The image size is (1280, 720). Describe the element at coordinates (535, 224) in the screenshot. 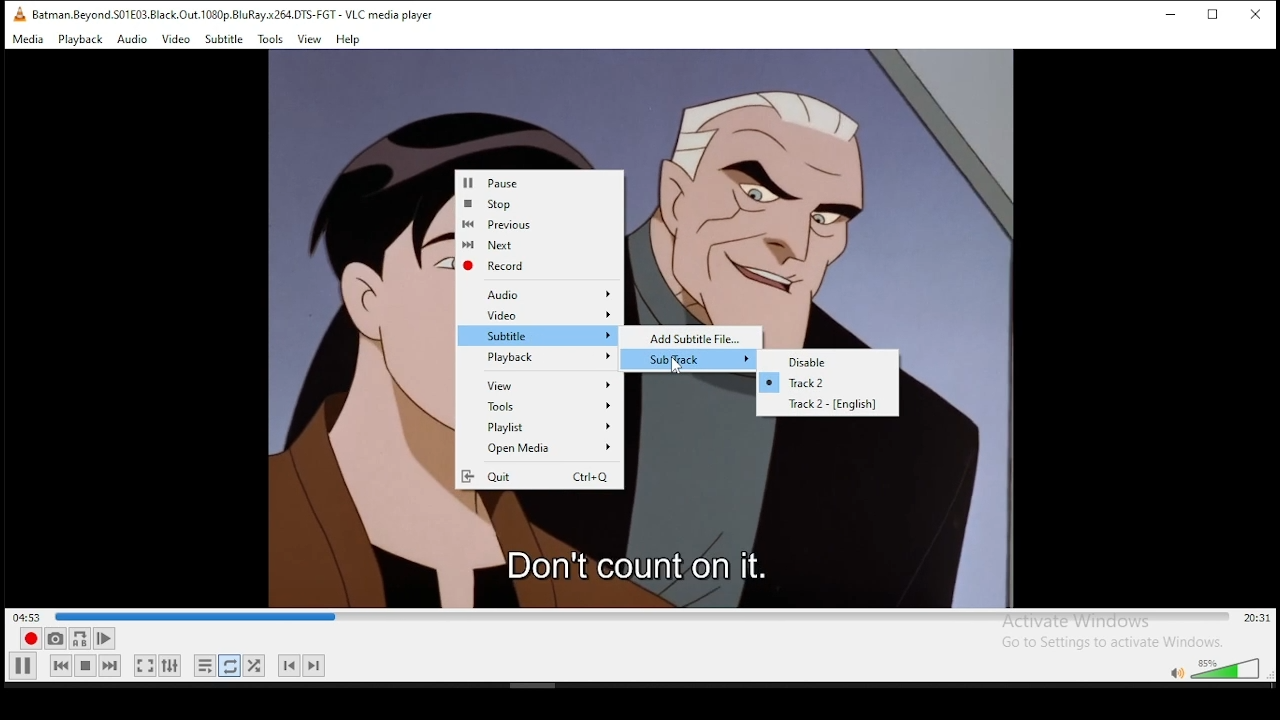

I see `Previous` at that location.